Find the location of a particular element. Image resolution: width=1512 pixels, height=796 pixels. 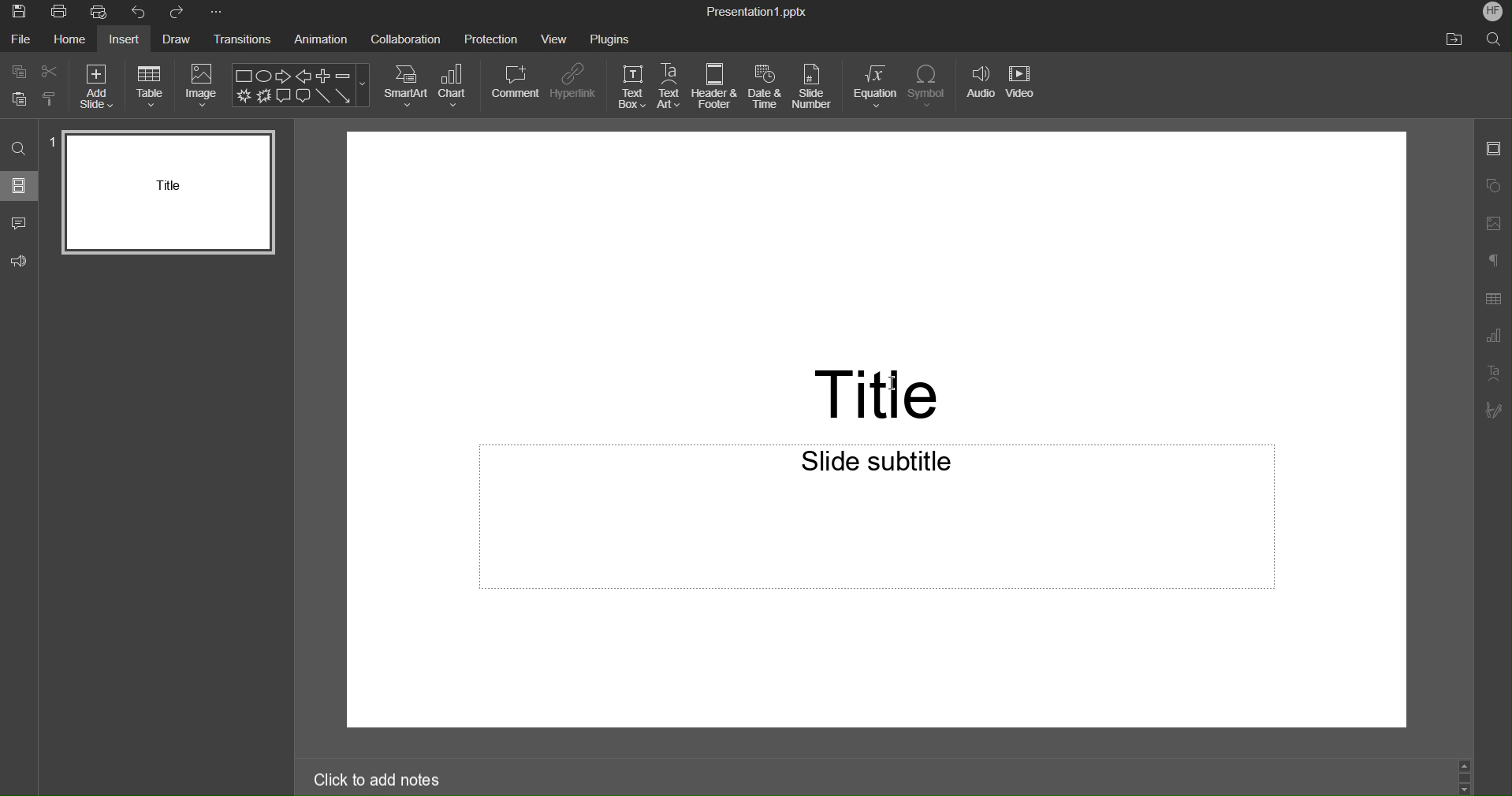

Search is located at coordinates (1495, 41).